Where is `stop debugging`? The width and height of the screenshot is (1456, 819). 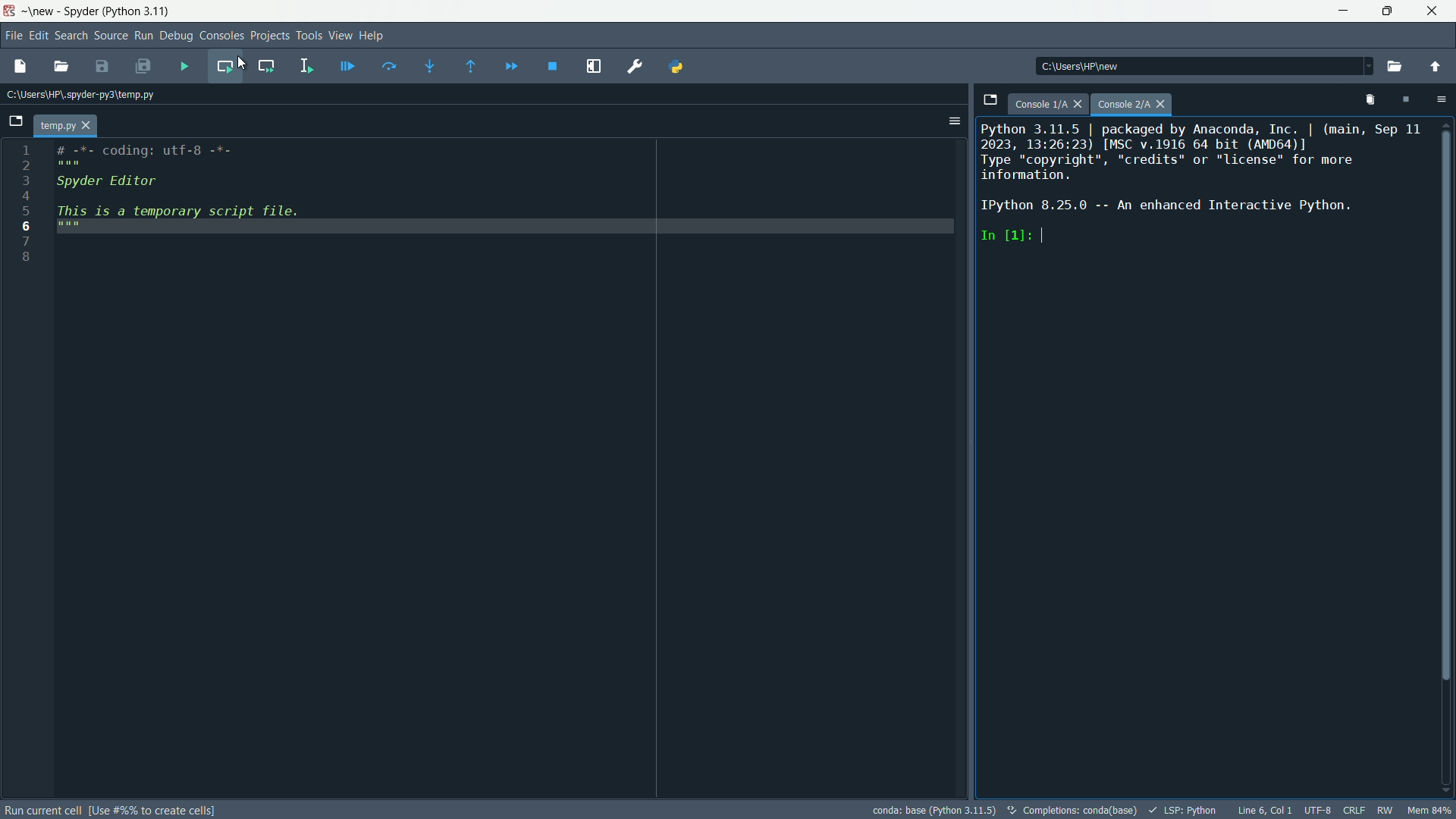 stop debugging is located at coordinates (551, 67).